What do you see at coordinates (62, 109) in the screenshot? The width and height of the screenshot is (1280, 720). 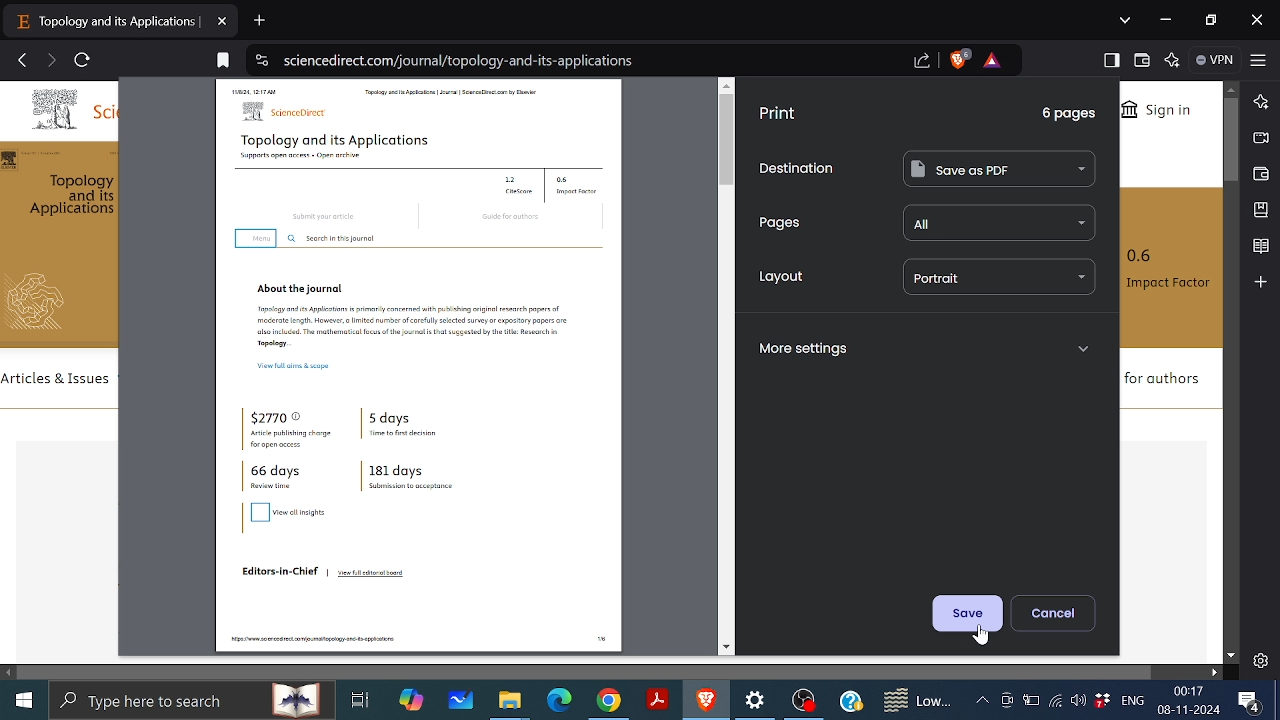 I see `sci` at bounding box center [62, 109].